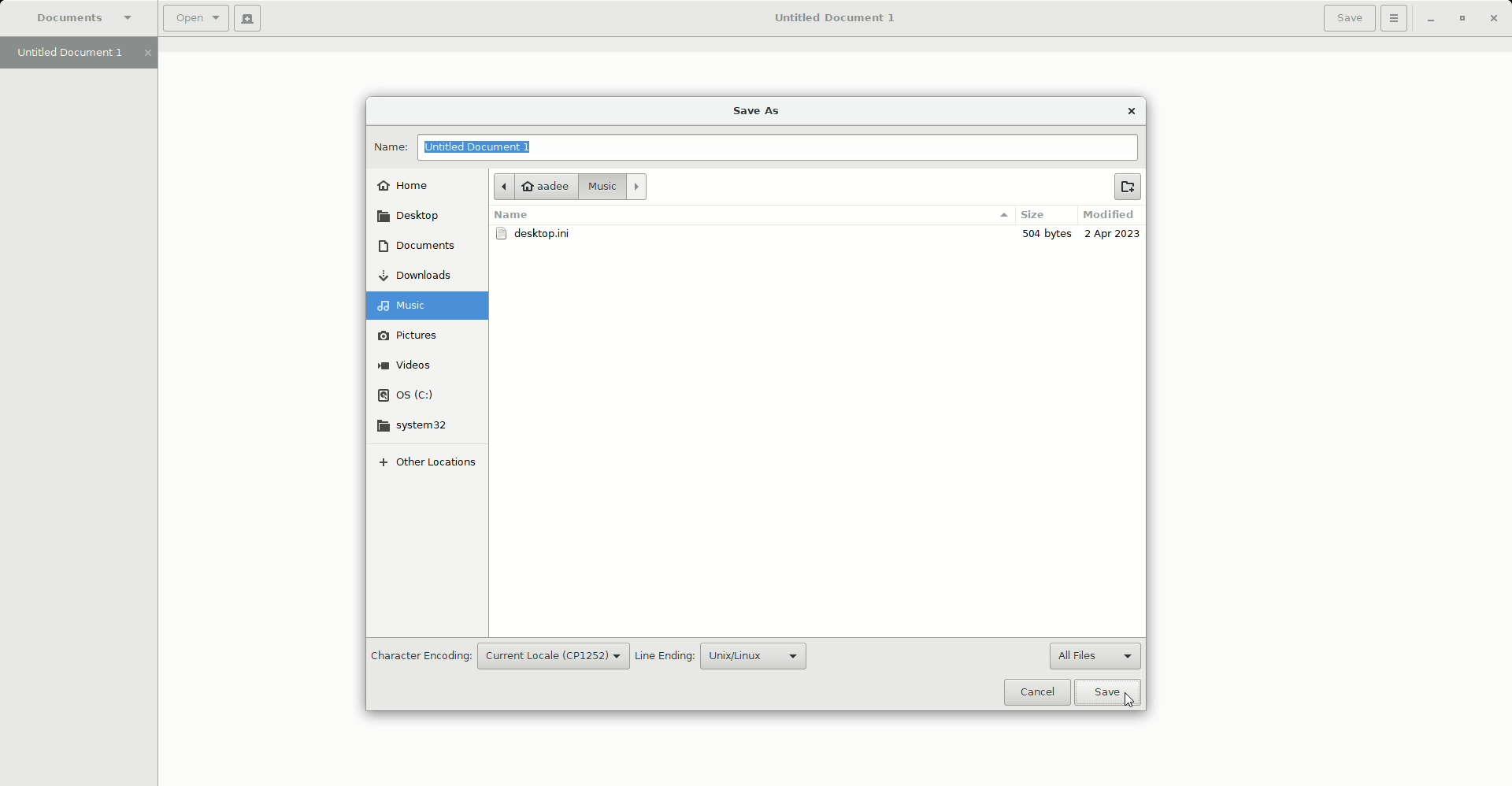 The width and height of the screenshot is (1512, 786). What do you see at coordinates (1494, 18) in the screenshot?
I see `Close` at bounding box center [1494, 18].